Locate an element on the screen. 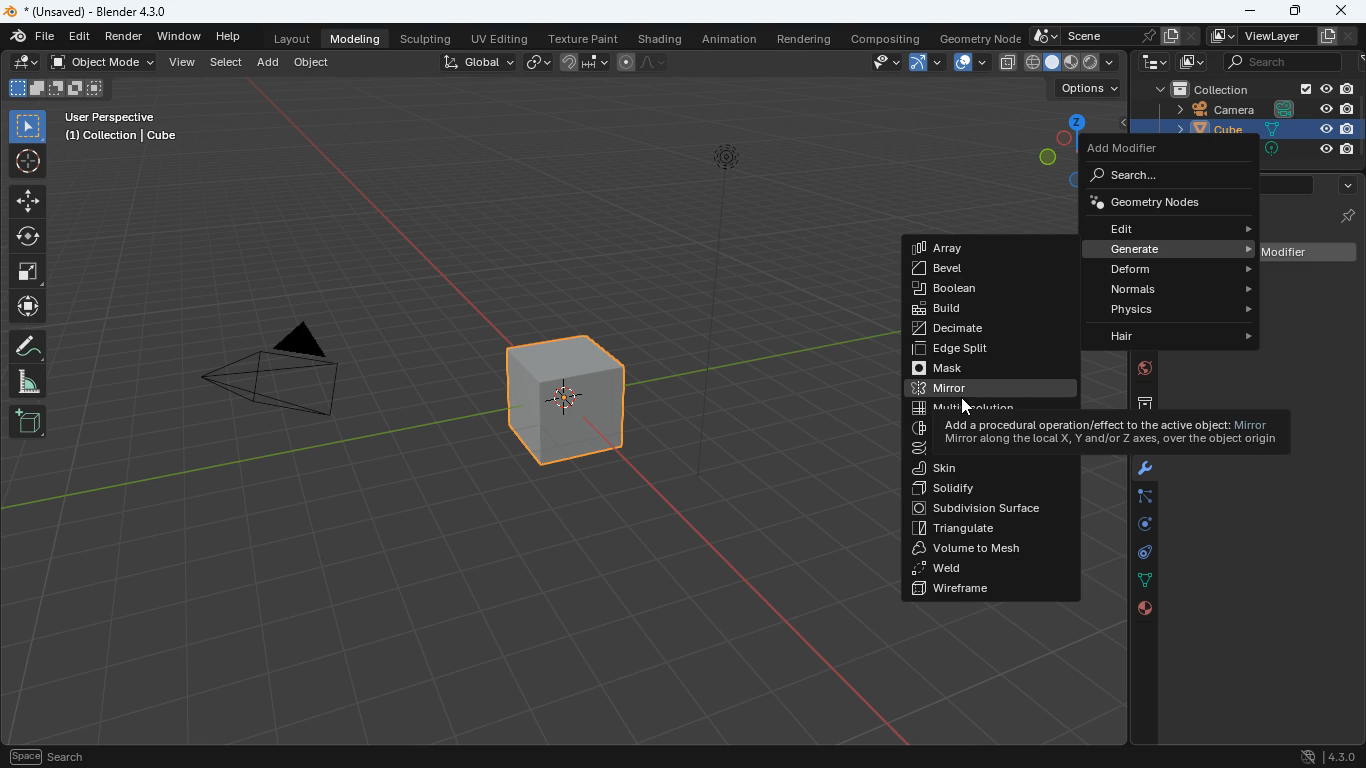 The height and width of the screenshot is (768, 1366).  is located at coordinates (1286, 108).